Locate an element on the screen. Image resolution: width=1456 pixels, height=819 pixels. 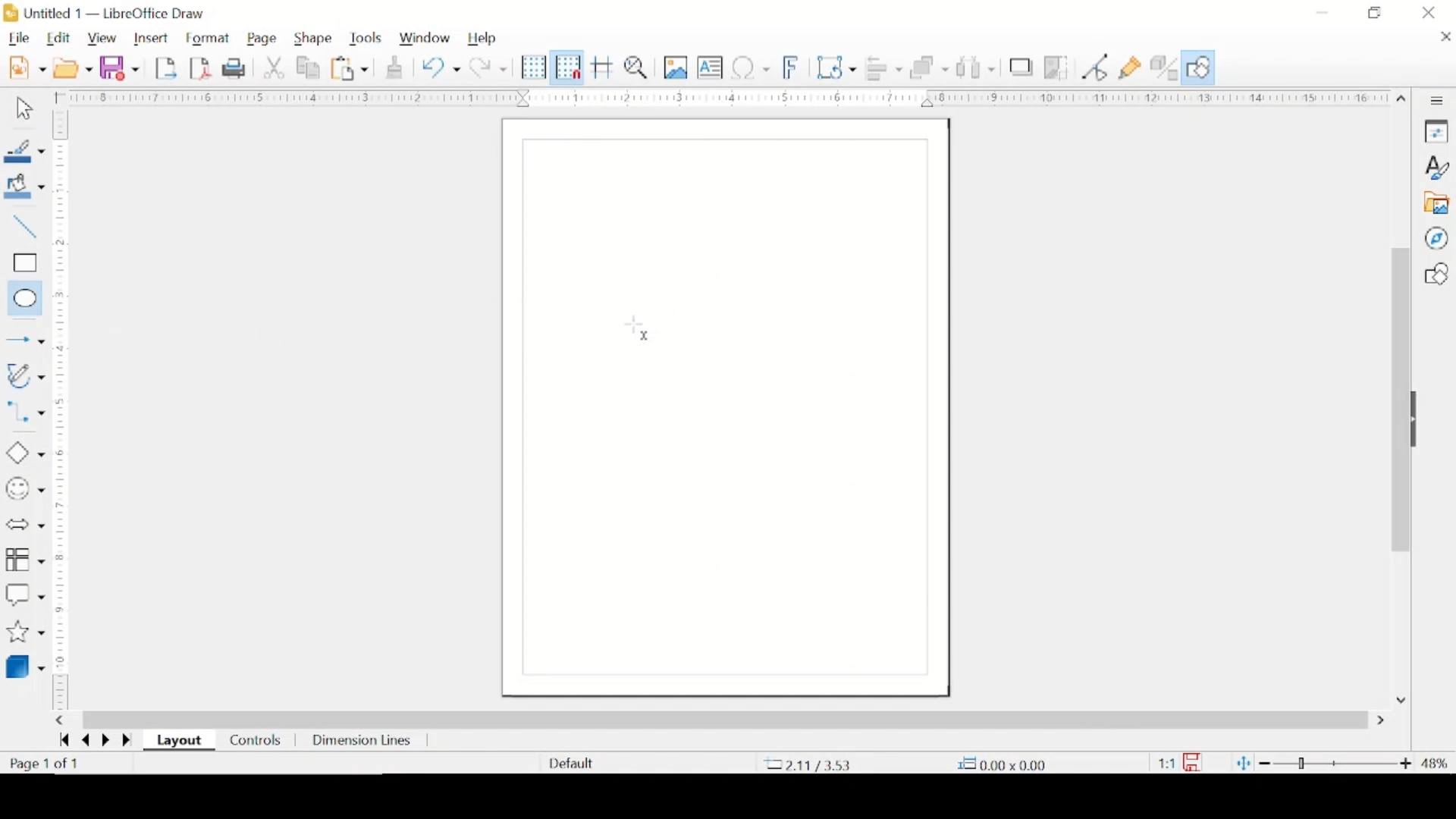
dimension lines is located at coordinates (361, 741).